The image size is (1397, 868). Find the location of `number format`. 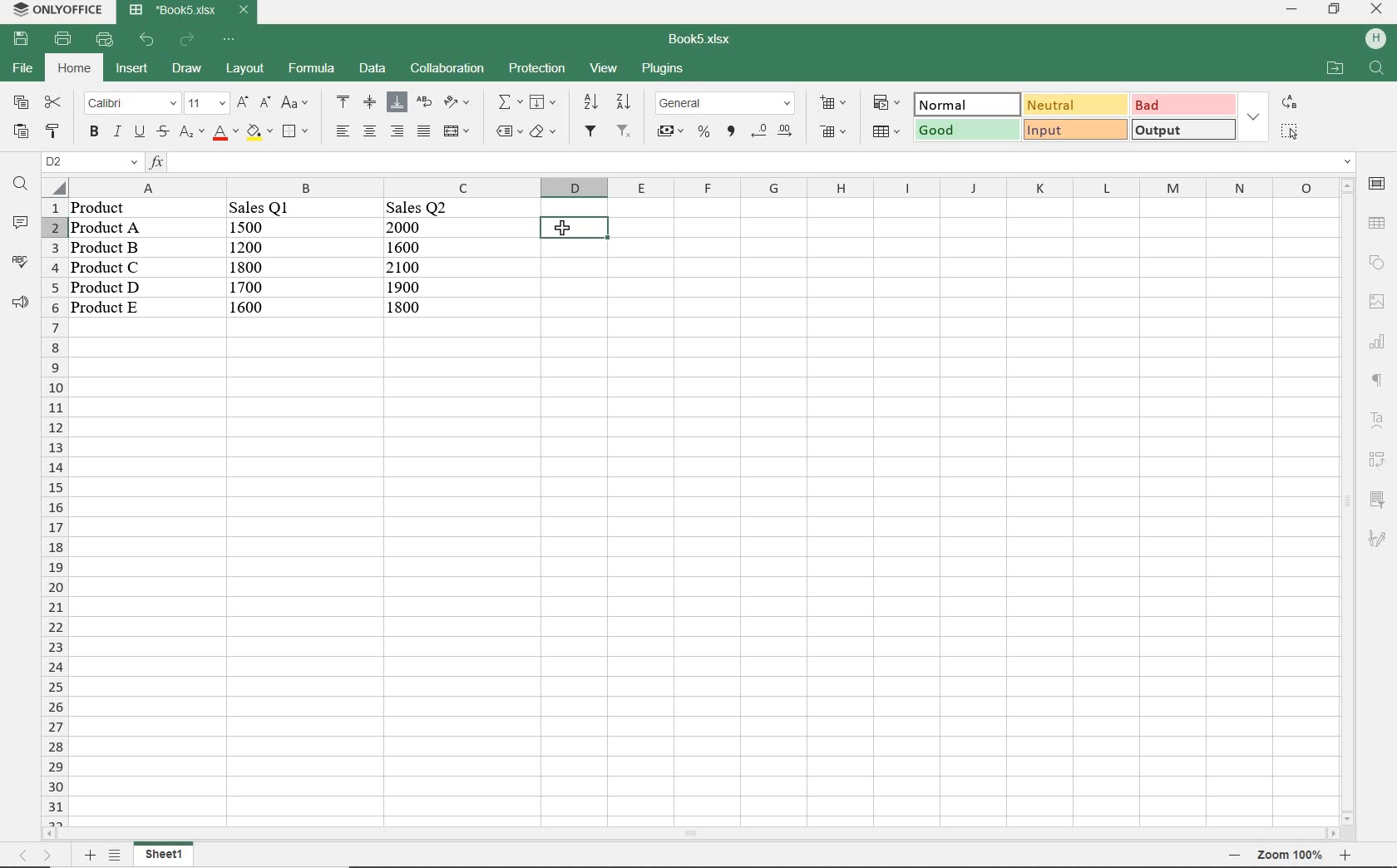

number format is located at coordinates (724, 104).